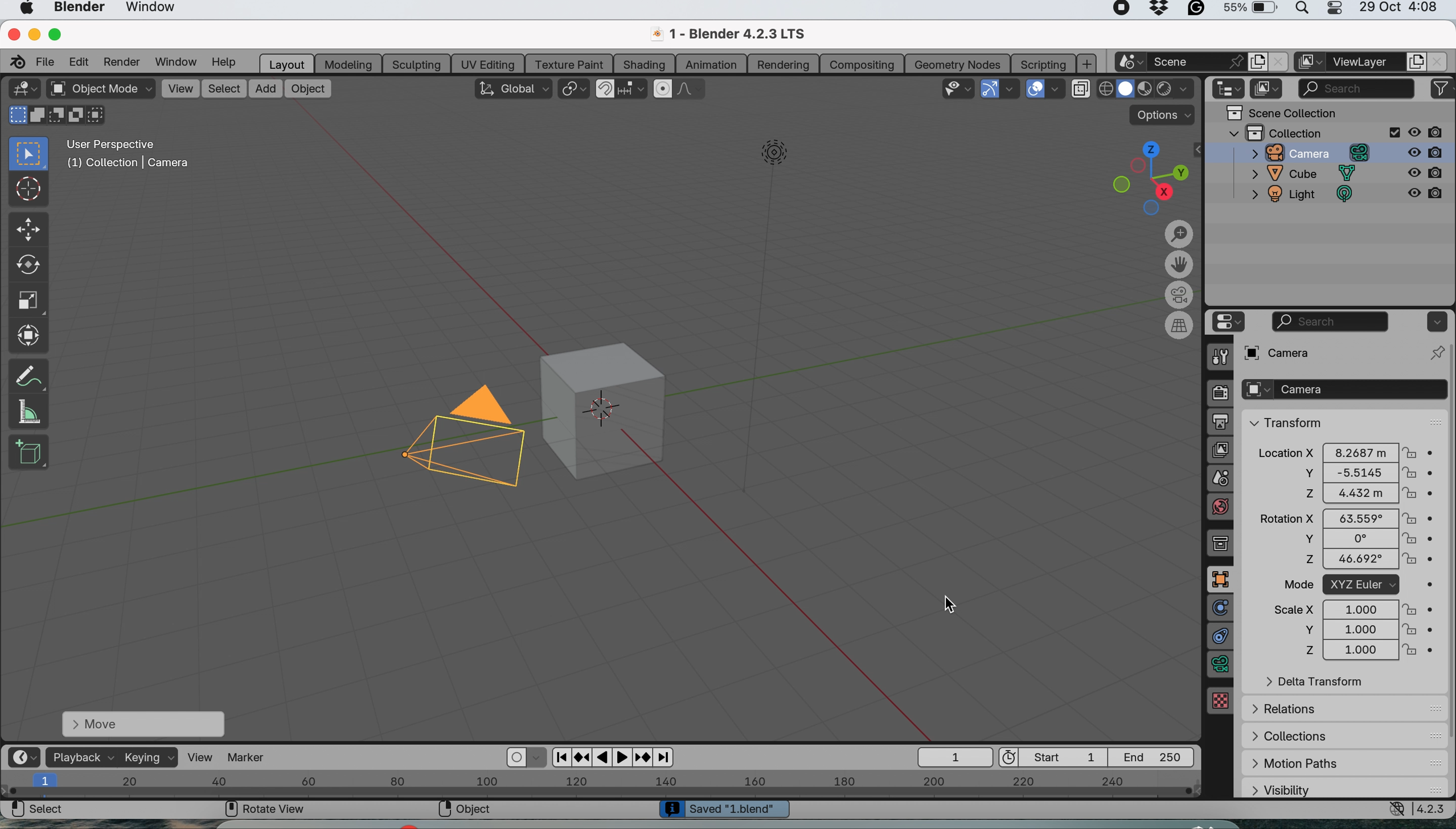 The width and height of the screenshot is (1456, 829). Describe the element at coordinates (1435, 352) in the screenshot. I see `pin` at that location.